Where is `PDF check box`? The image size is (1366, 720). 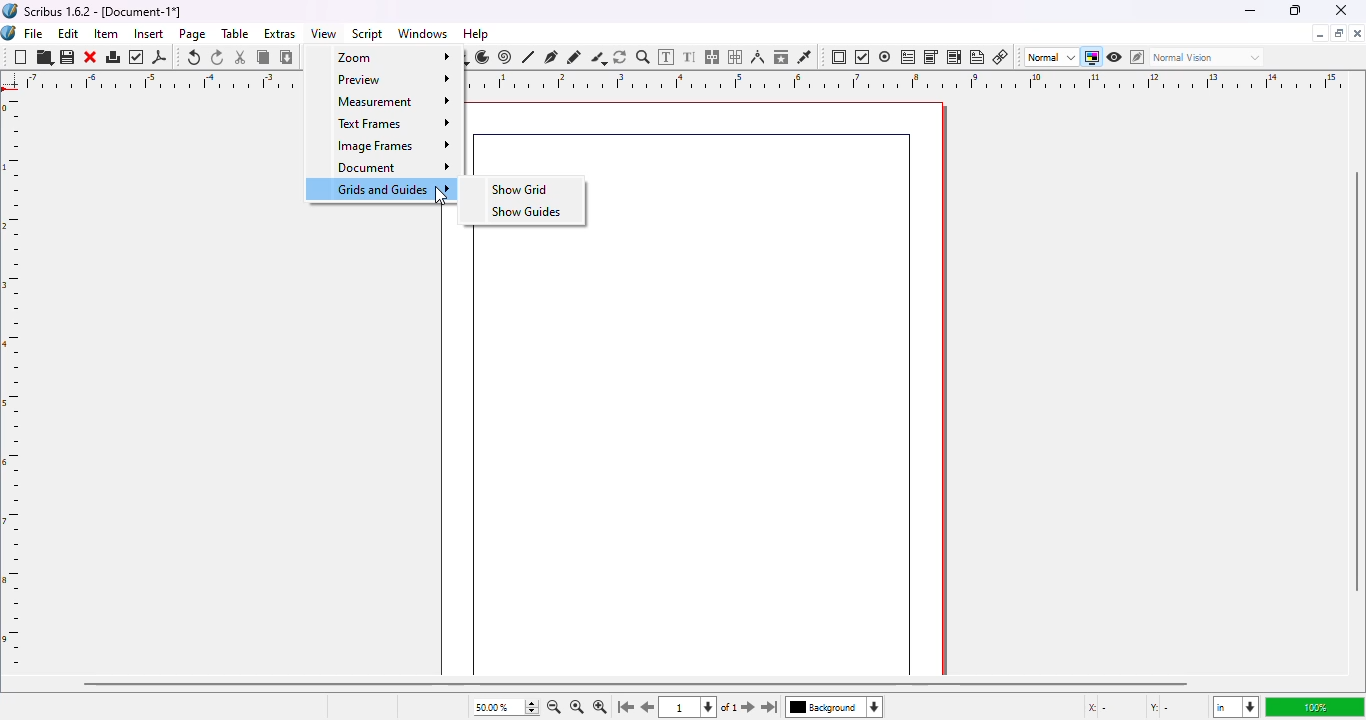
PDF check box is located at coordinates (862, 58).